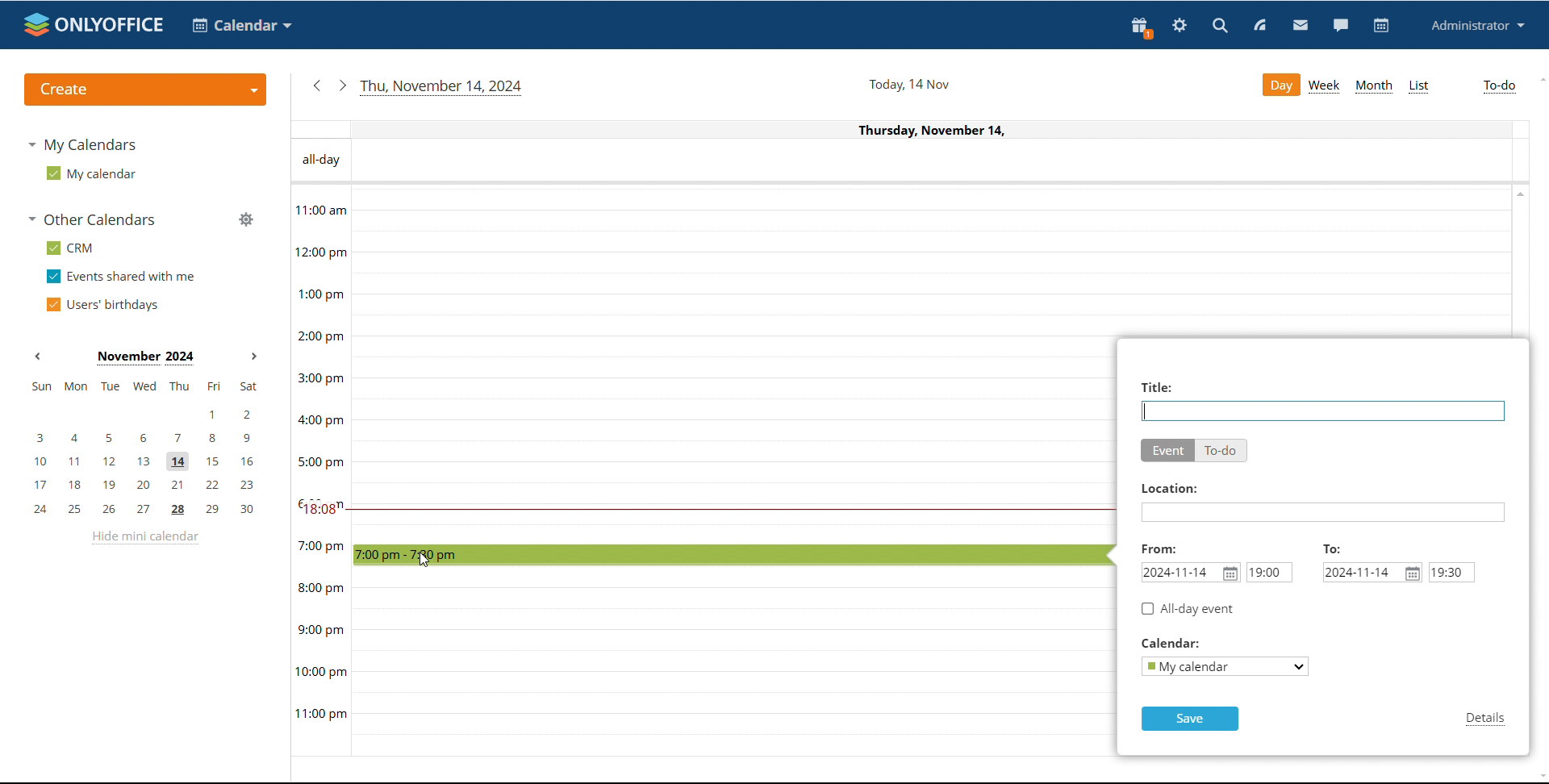  I want to click on hide mini calendar, so click(144, 538).